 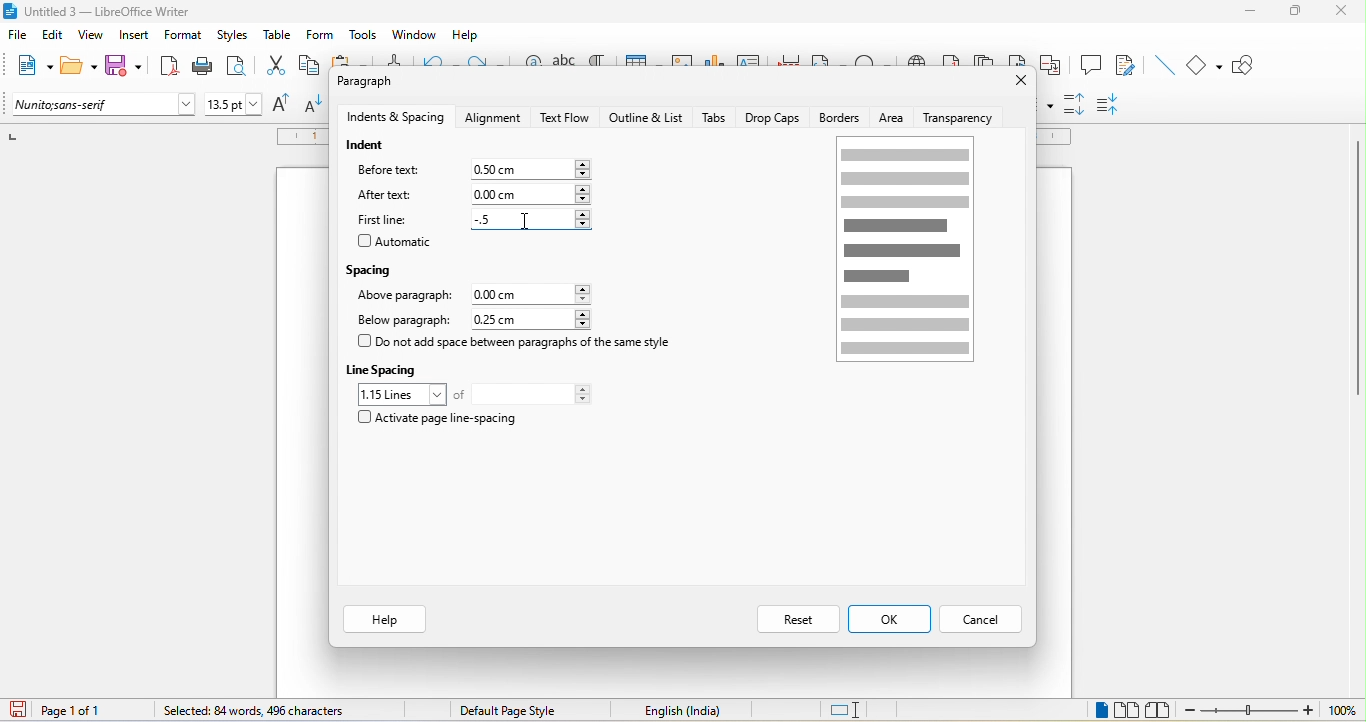 I want to click on cross reference, so click(x=1055, y=65).